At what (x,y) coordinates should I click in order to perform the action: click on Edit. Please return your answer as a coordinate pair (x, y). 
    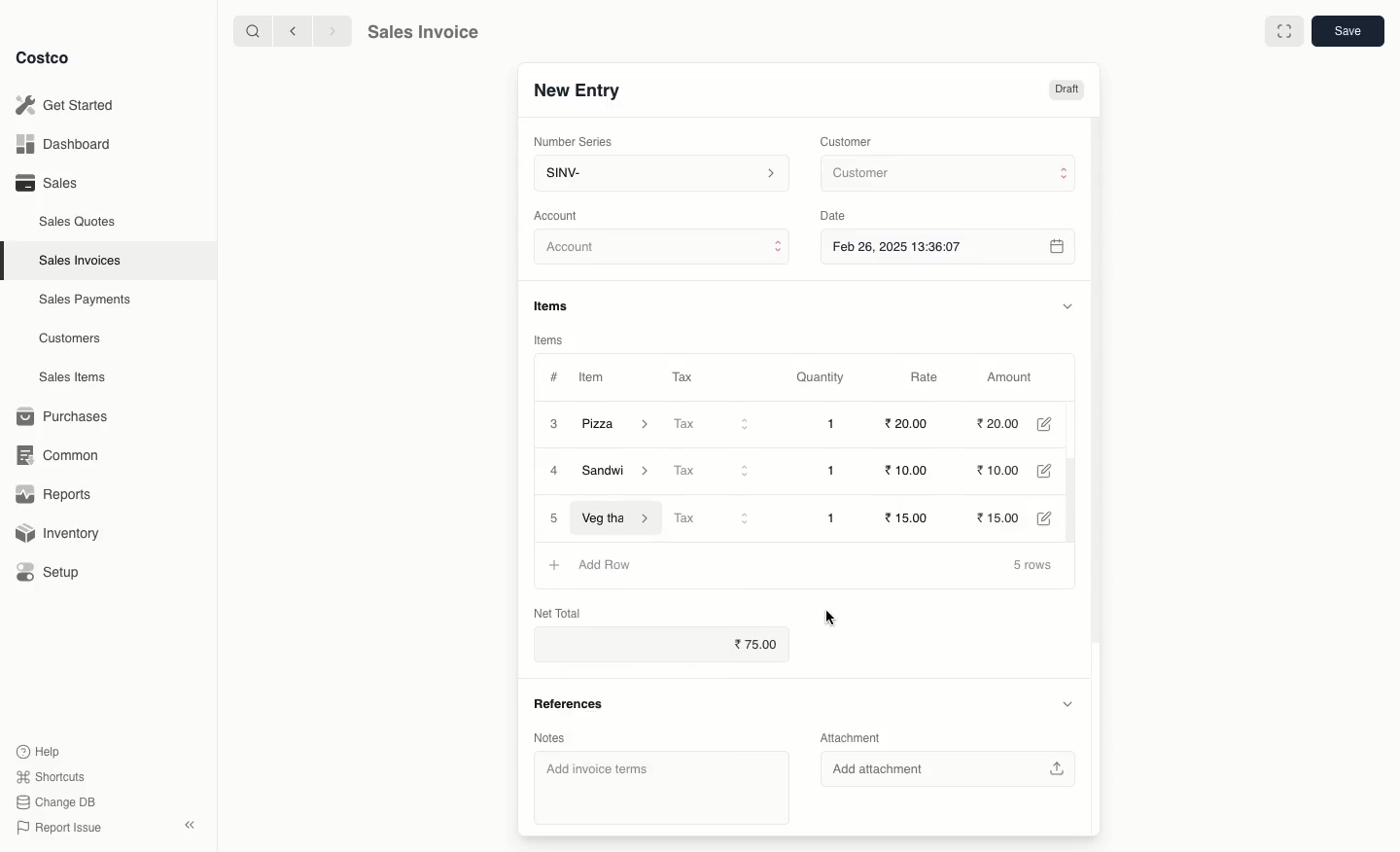
    Looking at the image, I should click on (1052, 424).